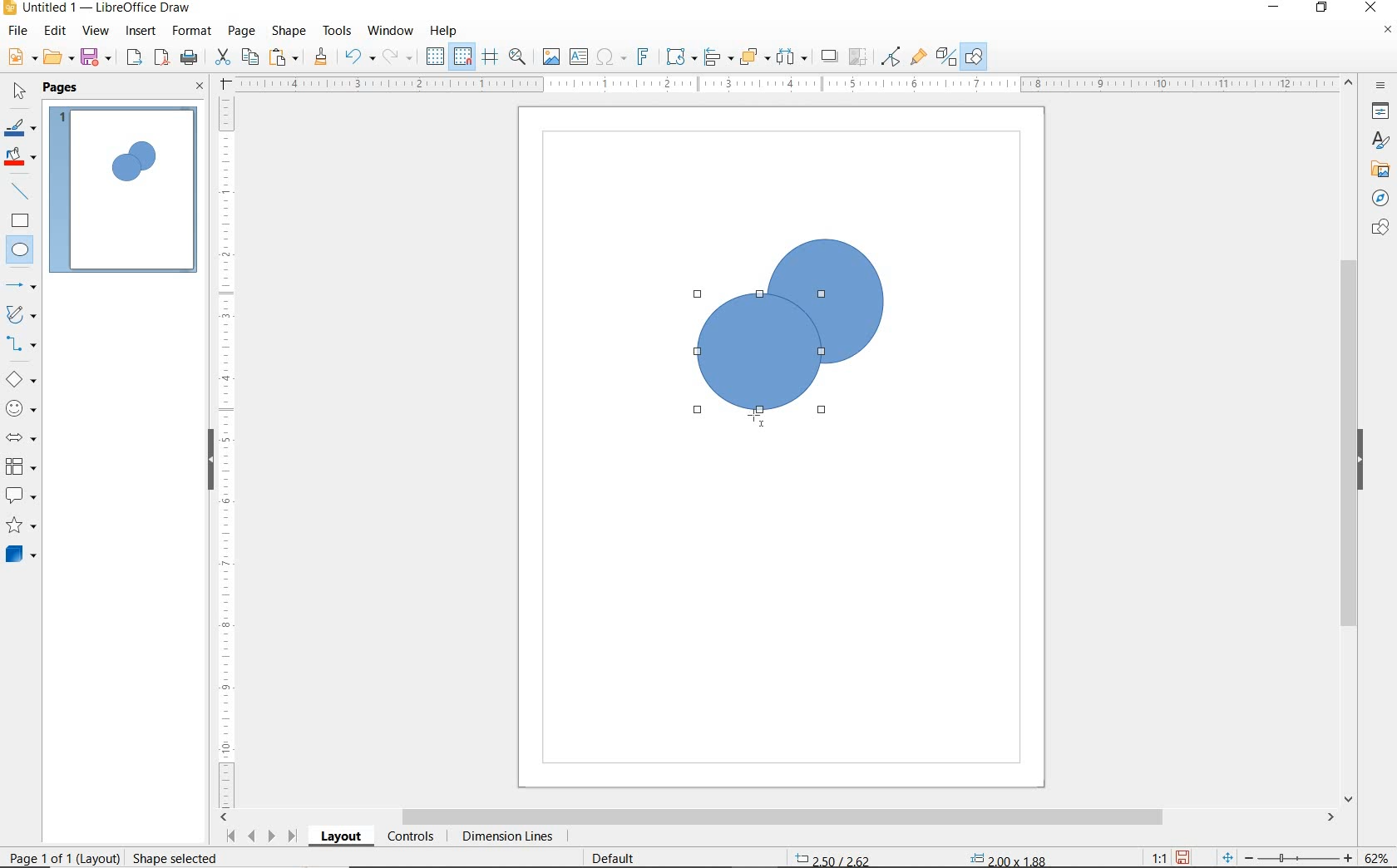 Image resolution: width=1397 pixels, height=868 pixels. Describe the element at coordinates (398, 57) in the screenshot. I see `REDO` at that location.